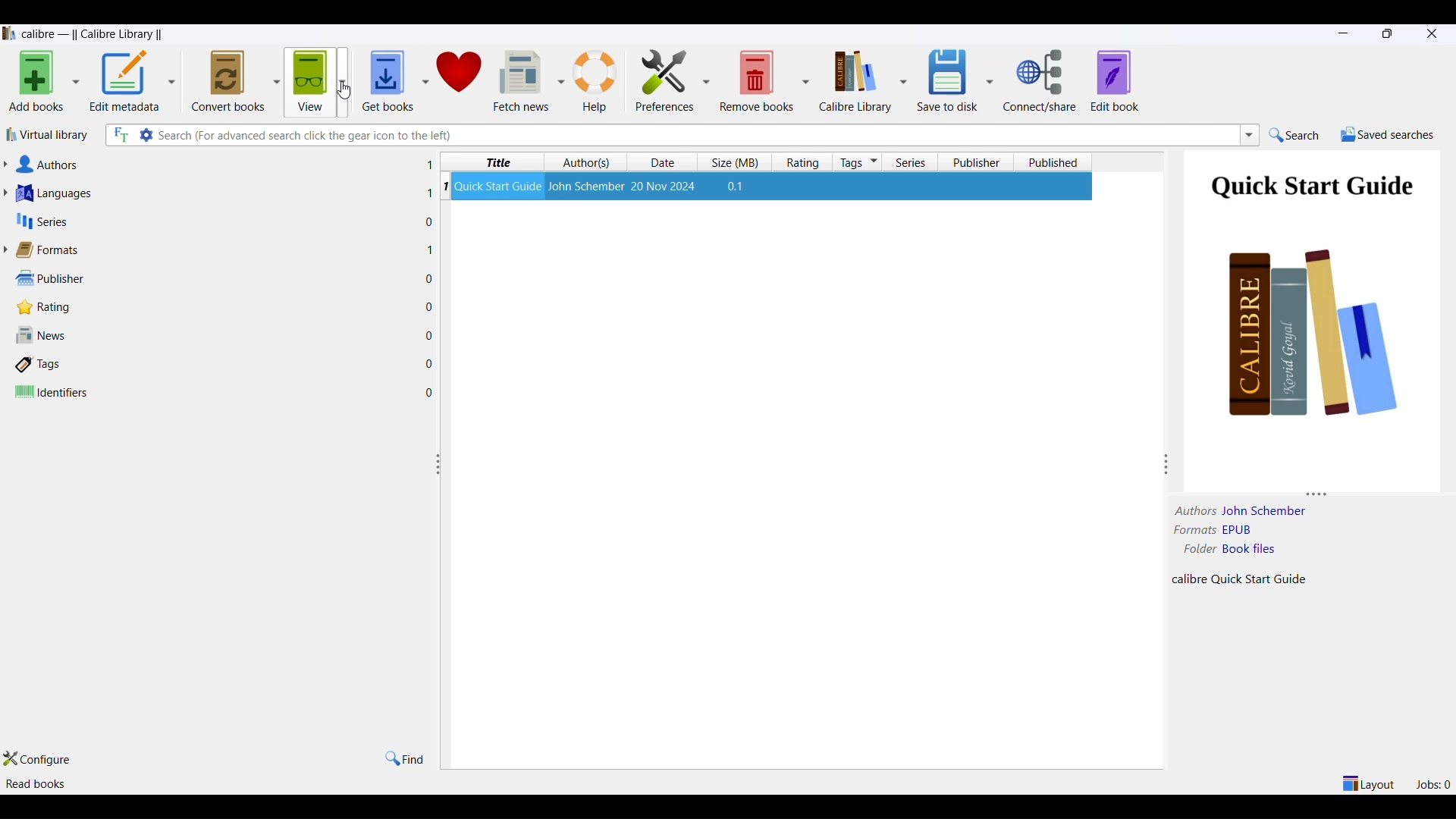 The height and width of the screenshot is (819, 1456). What do you see at coordinates (520, 79) in the screenshot?
I see `fetch news` at bounding box center [520, 79].